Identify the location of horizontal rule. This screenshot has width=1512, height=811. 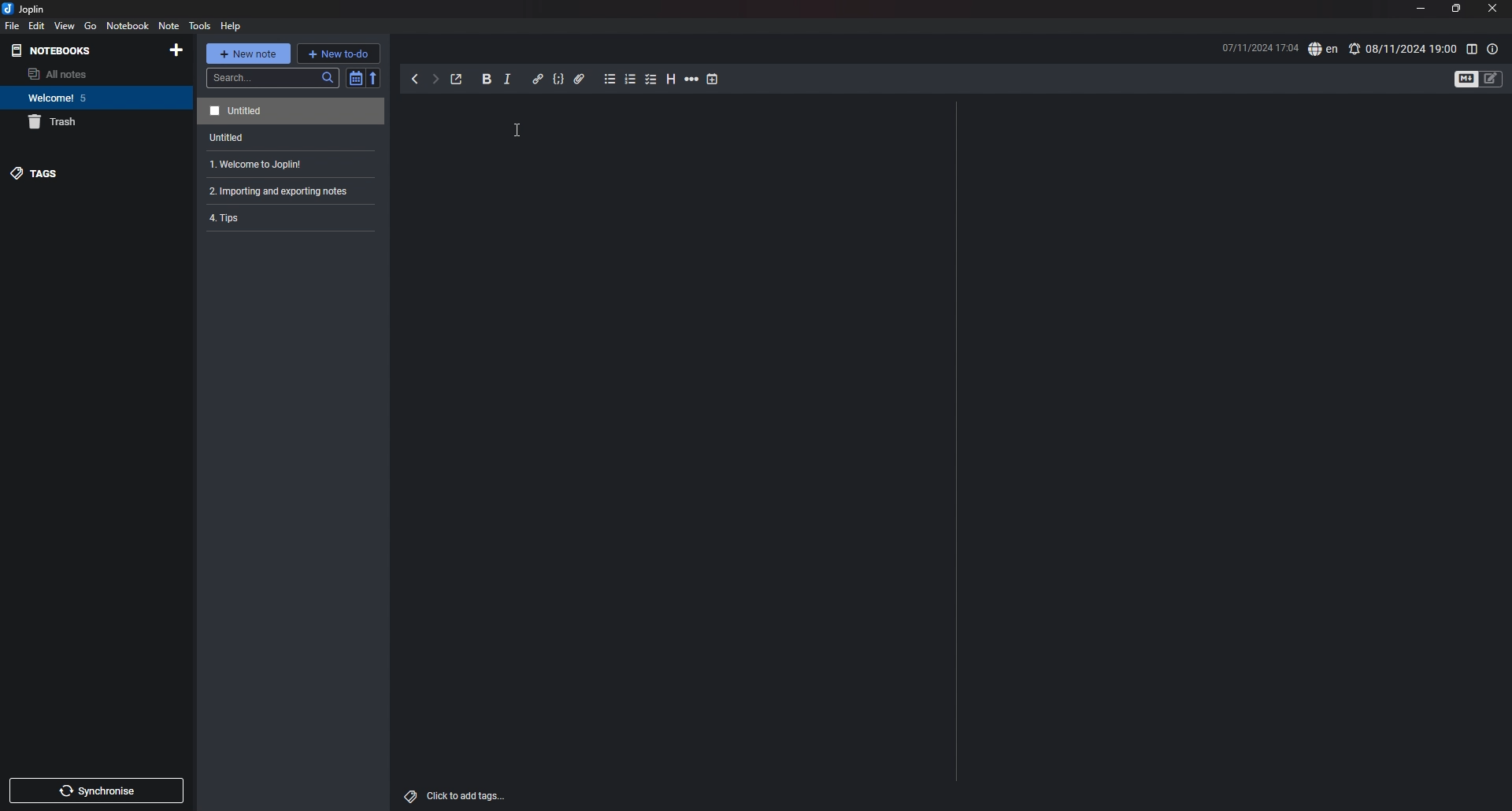
(693, 79).